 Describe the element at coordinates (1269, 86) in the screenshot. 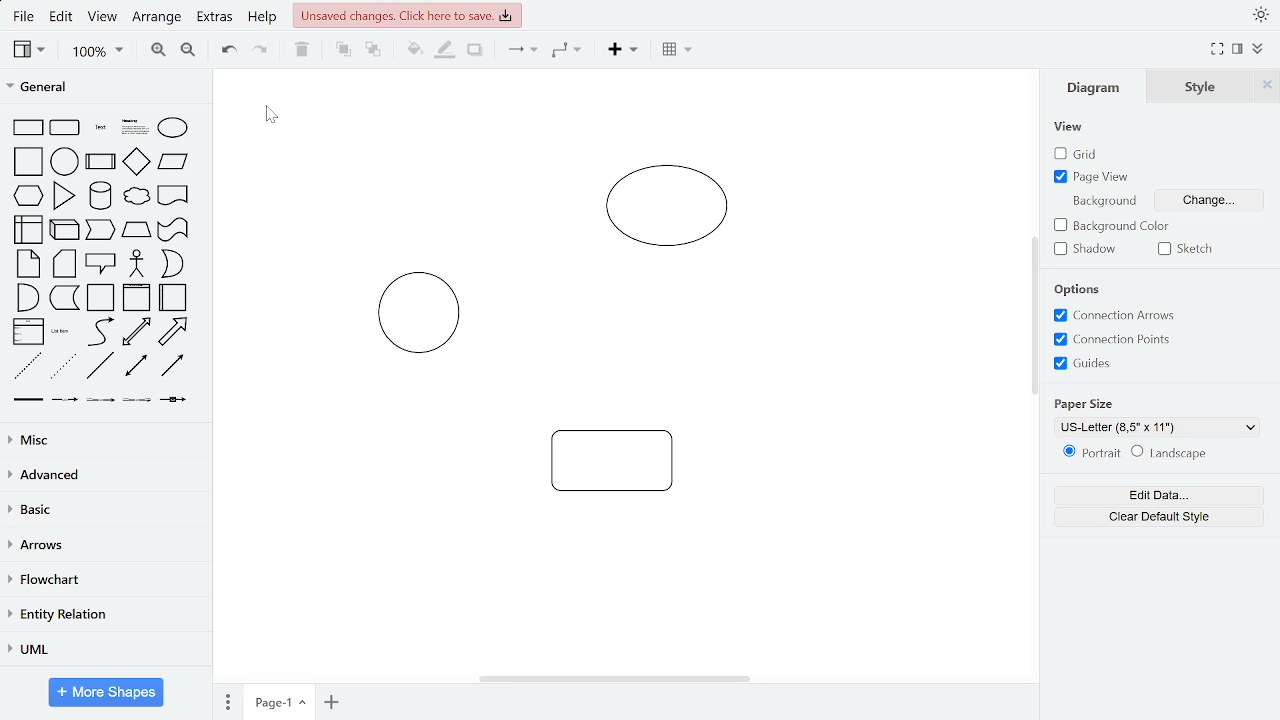

I see `close` at that location.